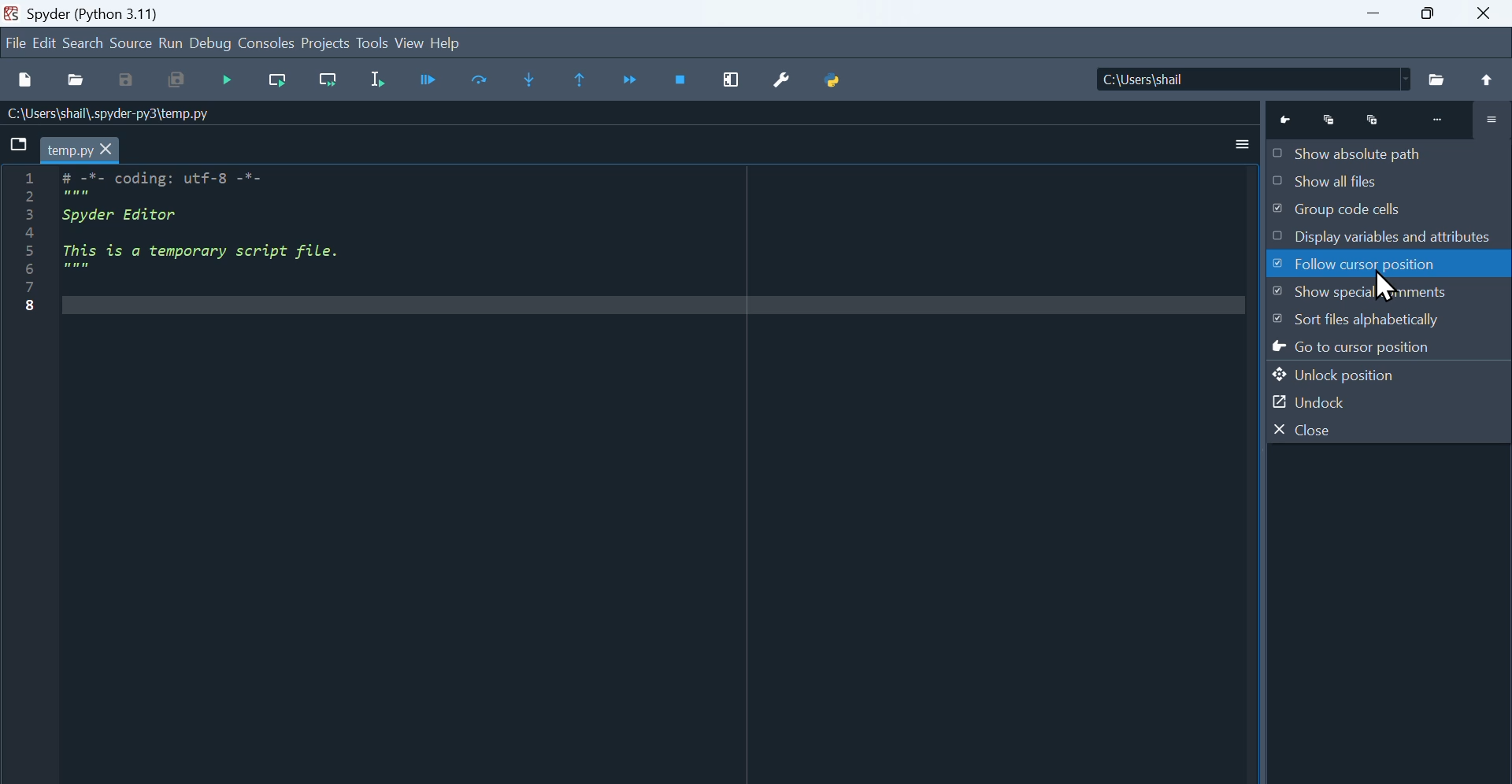 The height and width of the screenshot is (784, 1512). Describe the element at coordinates (1226, 144) in the screenshot. I see `More options` at that location.